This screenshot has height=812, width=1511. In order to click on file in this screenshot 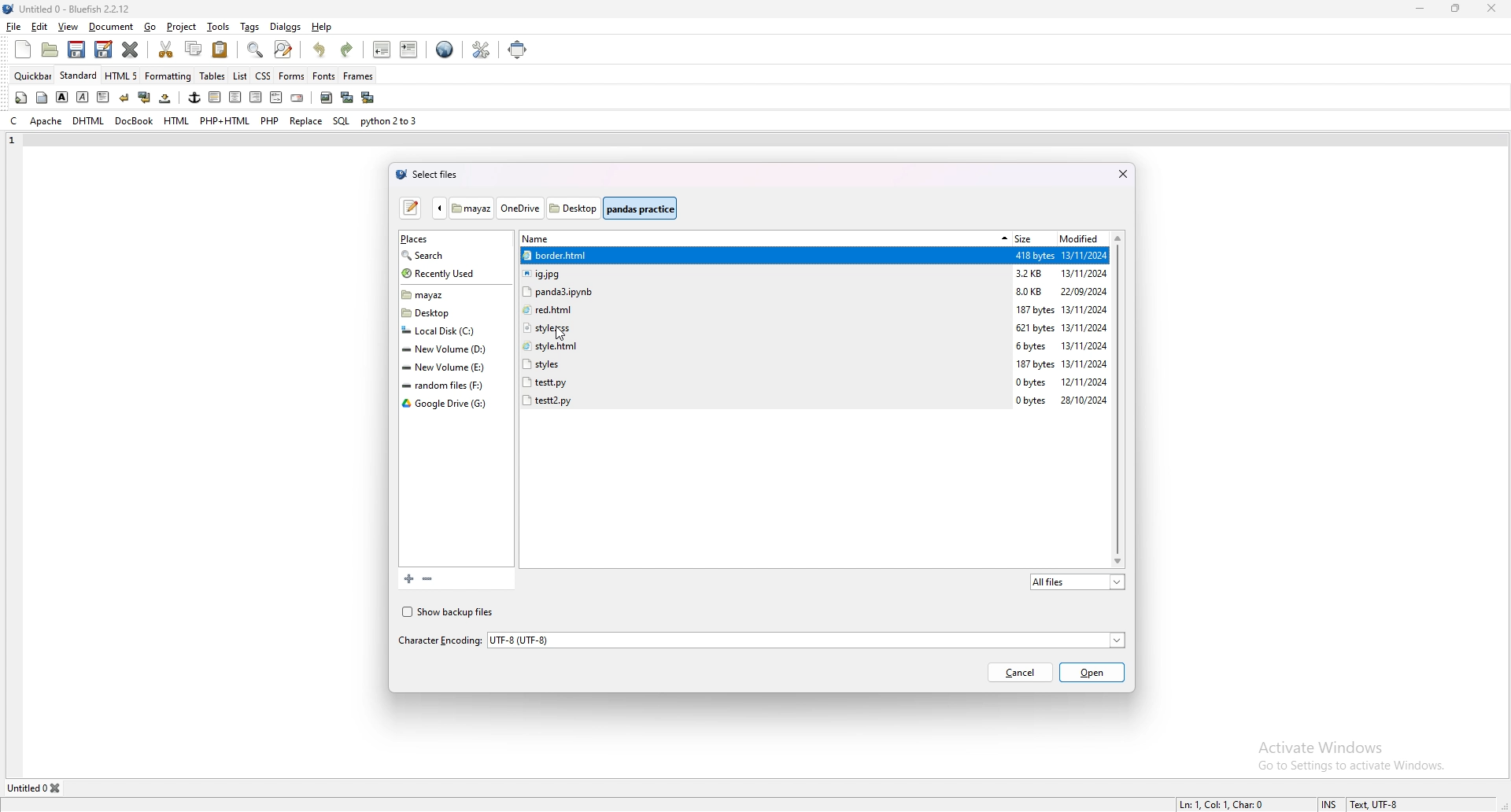, I will do `click(764, 308)`.